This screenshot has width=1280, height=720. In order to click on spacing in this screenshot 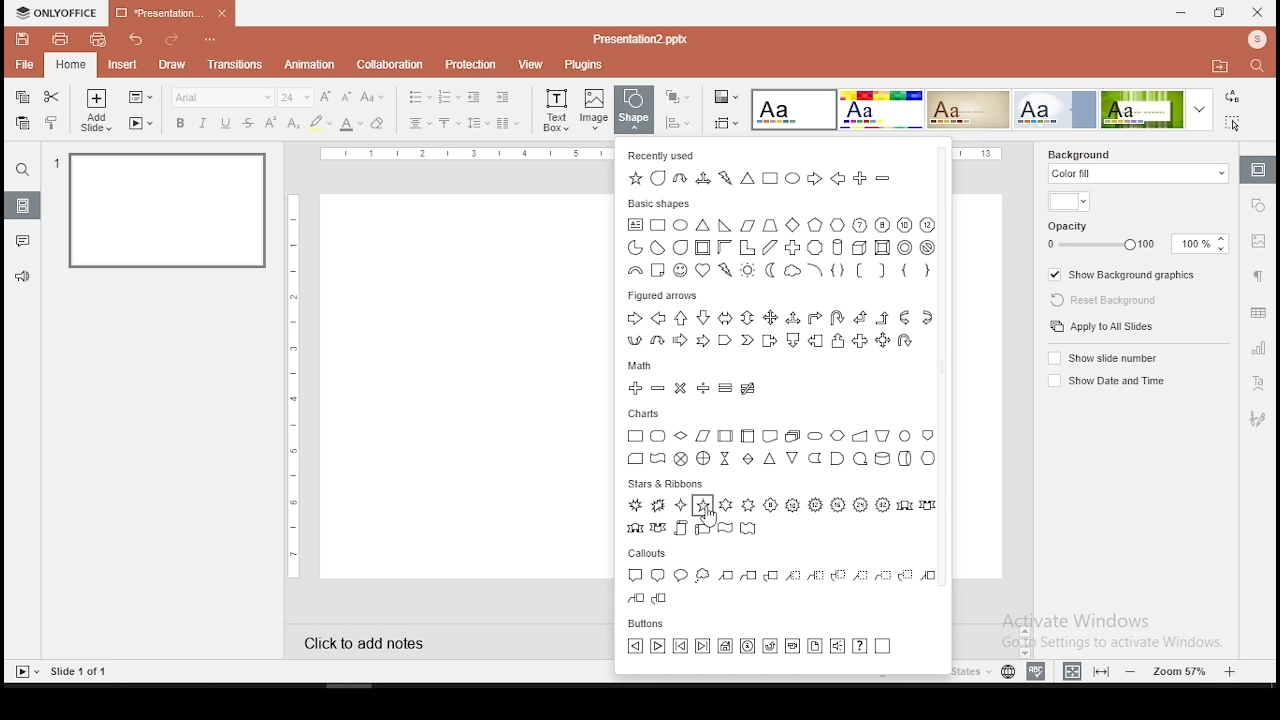, I will do `click(477, 123)`.